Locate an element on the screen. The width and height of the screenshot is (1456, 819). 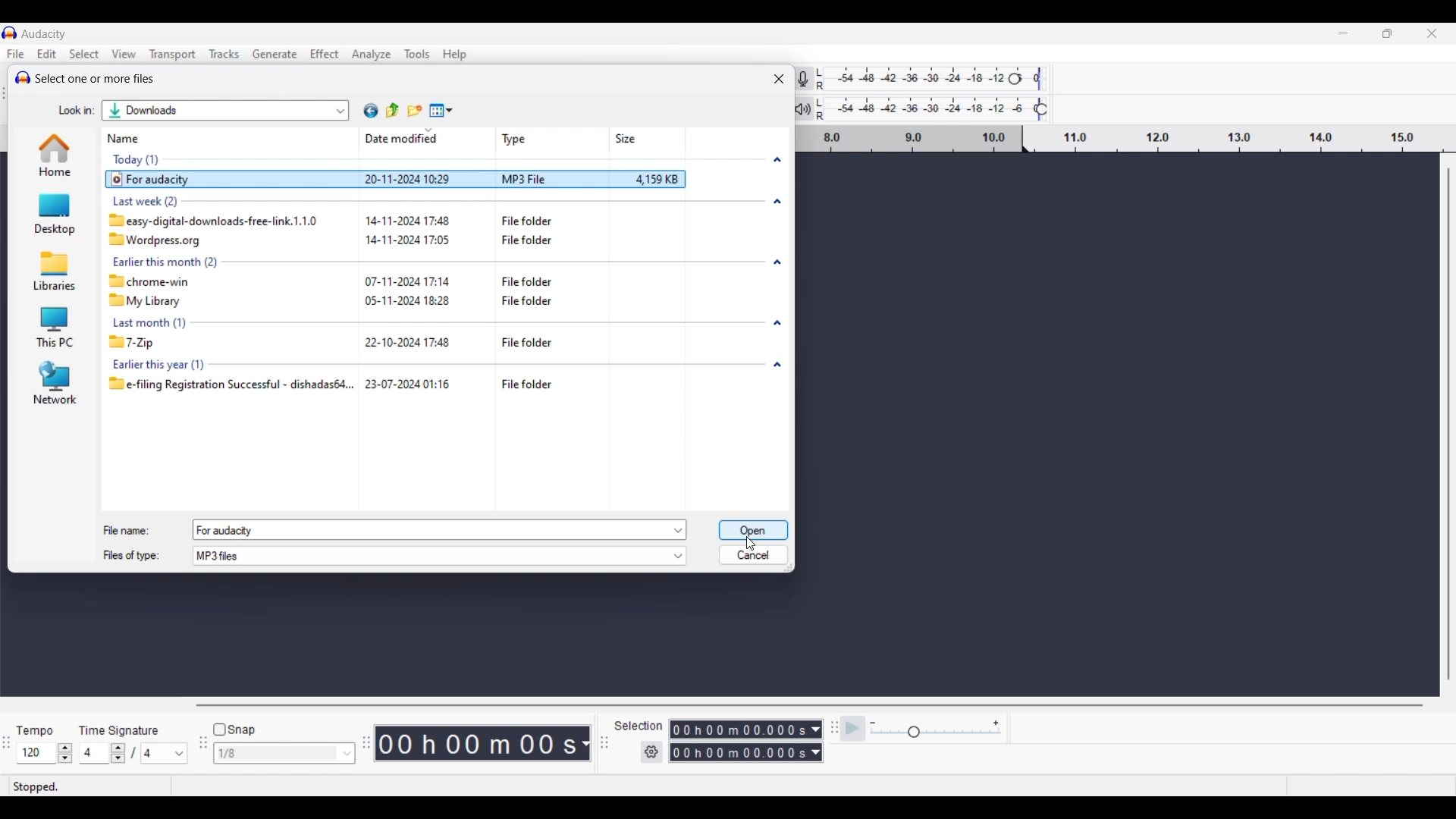
View menu is located at coordinates (441, 110).